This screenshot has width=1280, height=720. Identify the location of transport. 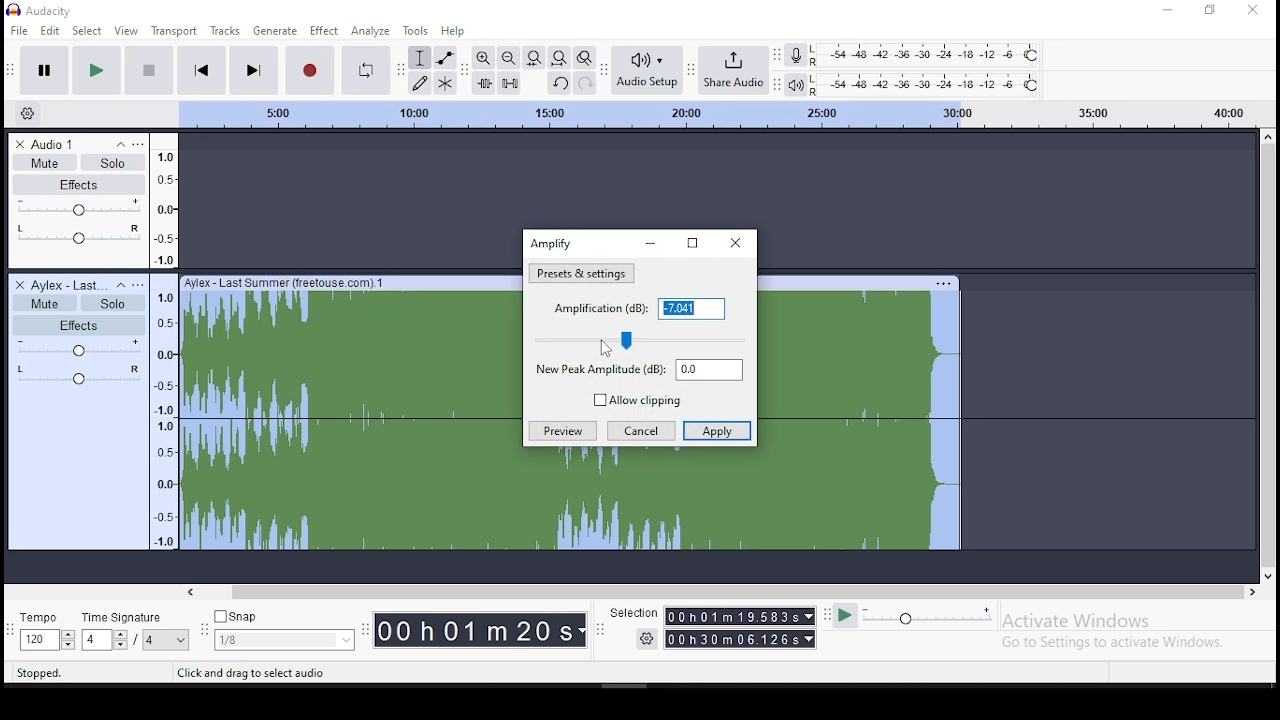
(178, 29).